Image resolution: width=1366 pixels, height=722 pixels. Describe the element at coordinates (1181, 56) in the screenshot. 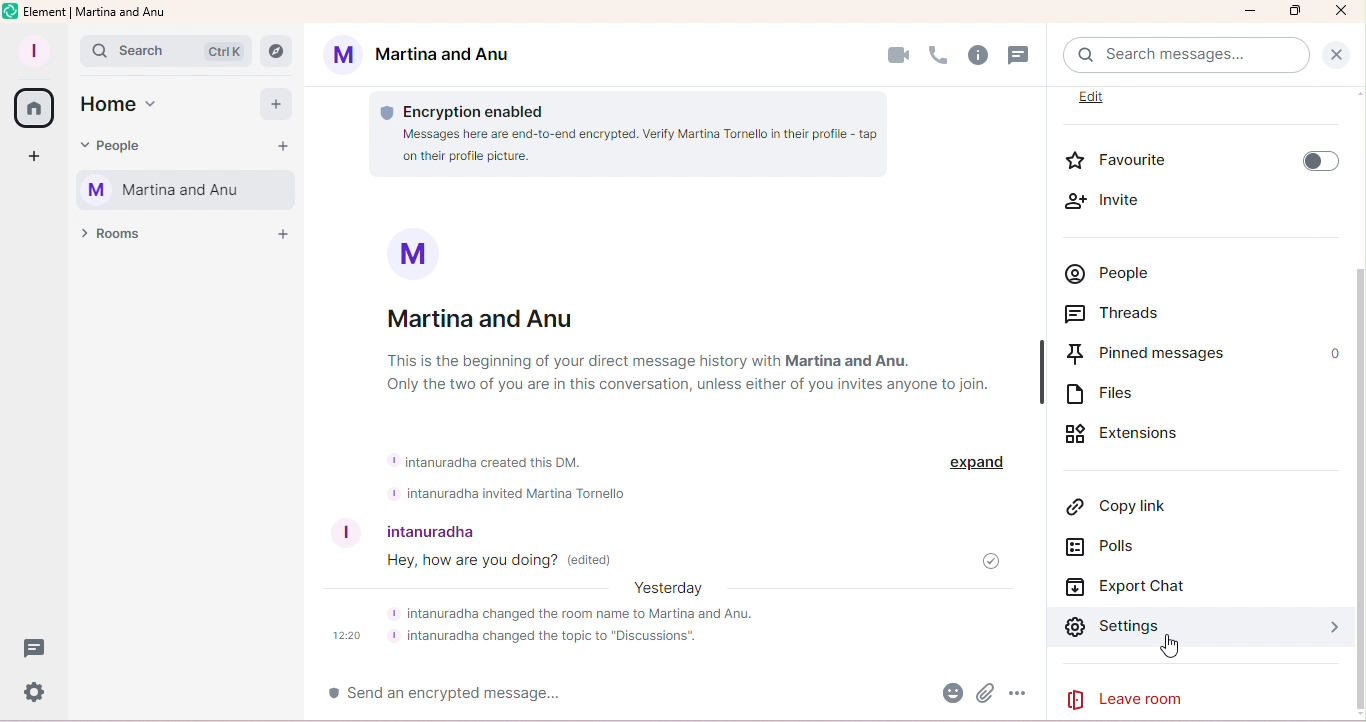

I see `Search bar` at that location.